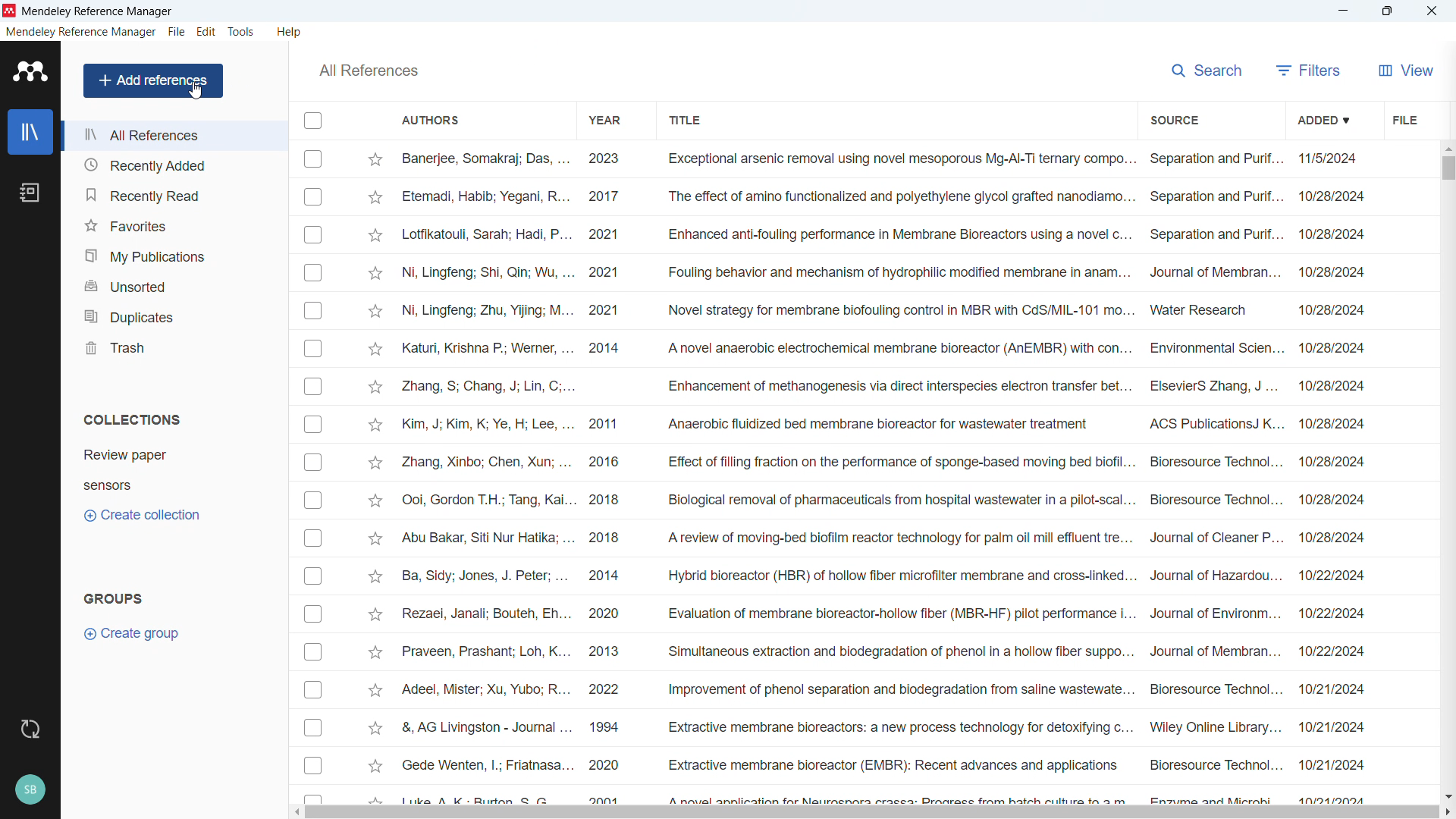 Image resolution: width=1456 pixels, height=819 pixels. What do you see at coordinates (10, 11) in the screenshot?
I see `logo` at bounding box center [10, 11].